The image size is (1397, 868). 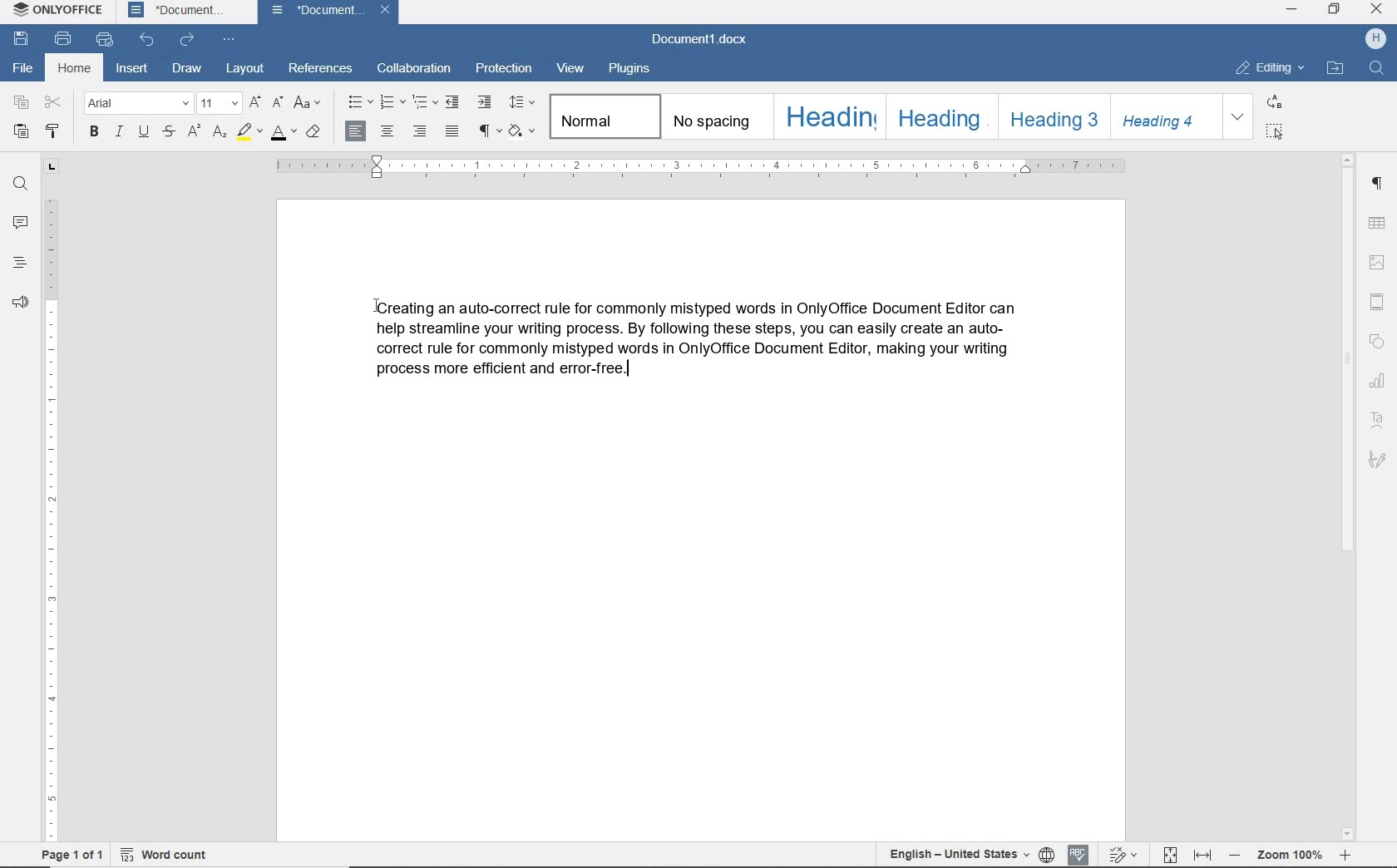 I want to click on zoom out or zoom in, so click(x=1295, y=856).